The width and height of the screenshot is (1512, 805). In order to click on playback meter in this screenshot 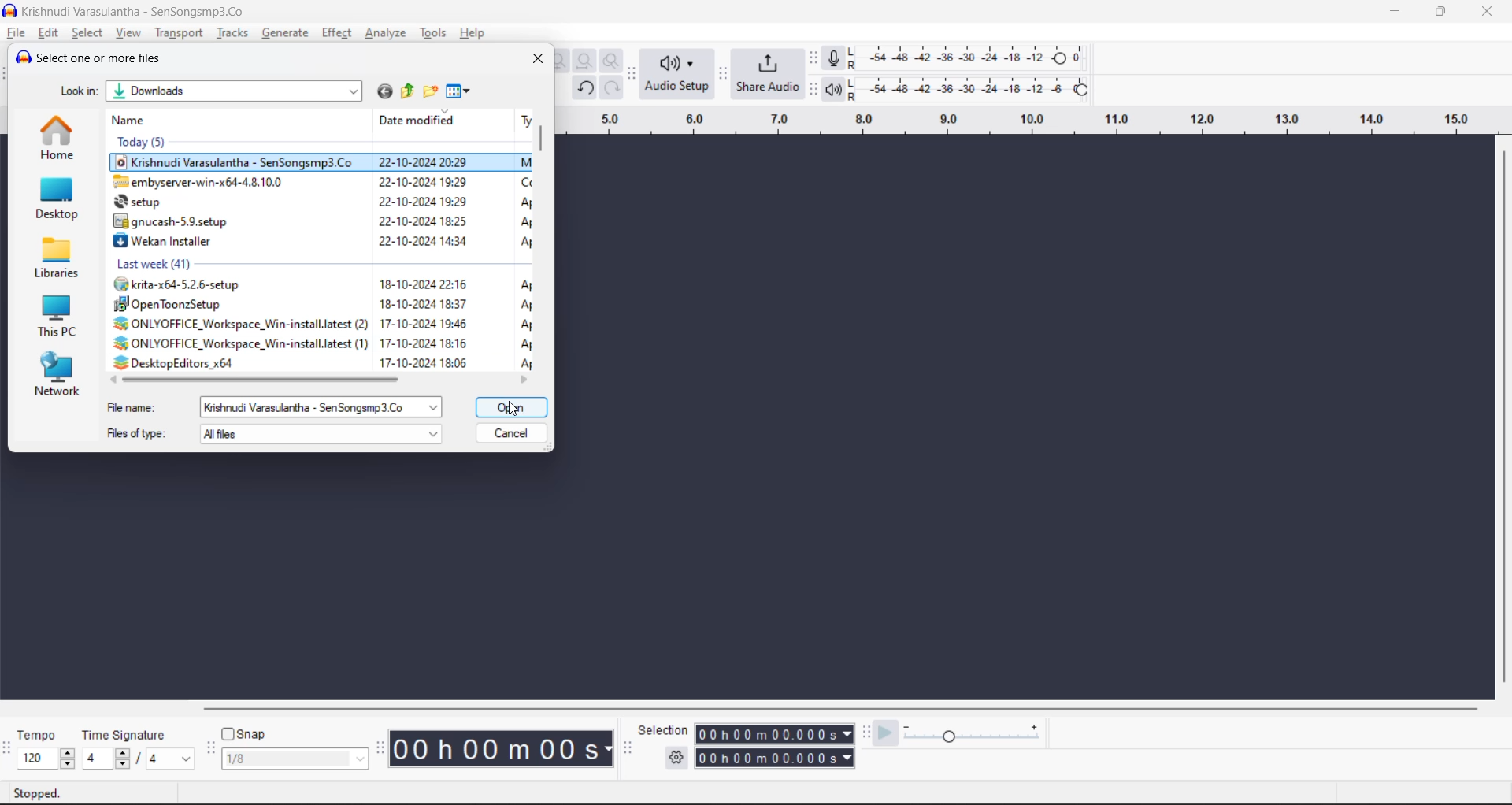, I will do `click(841, 89)`.